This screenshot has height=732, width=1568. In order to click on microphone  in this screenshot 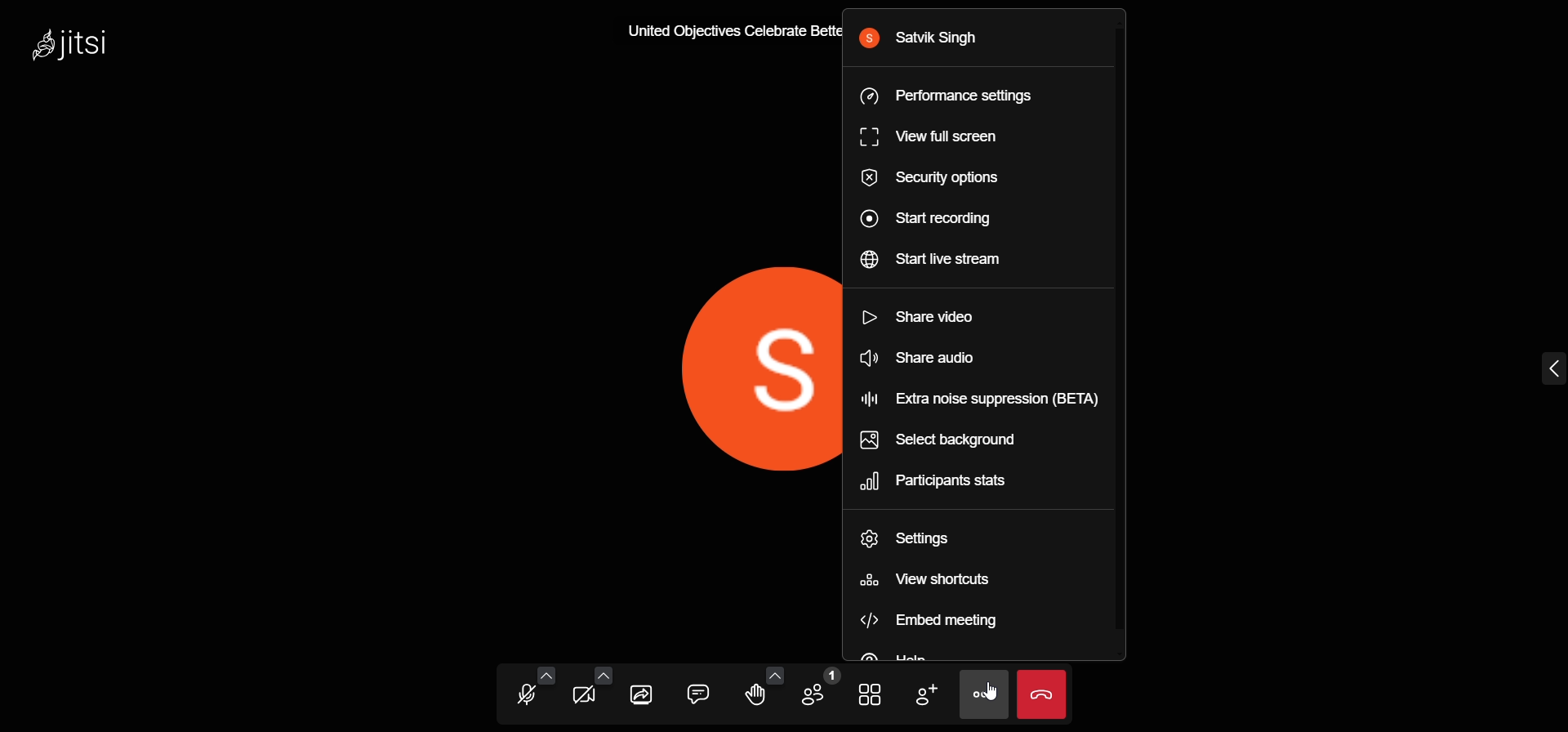, I will do `click(528, 698)`.